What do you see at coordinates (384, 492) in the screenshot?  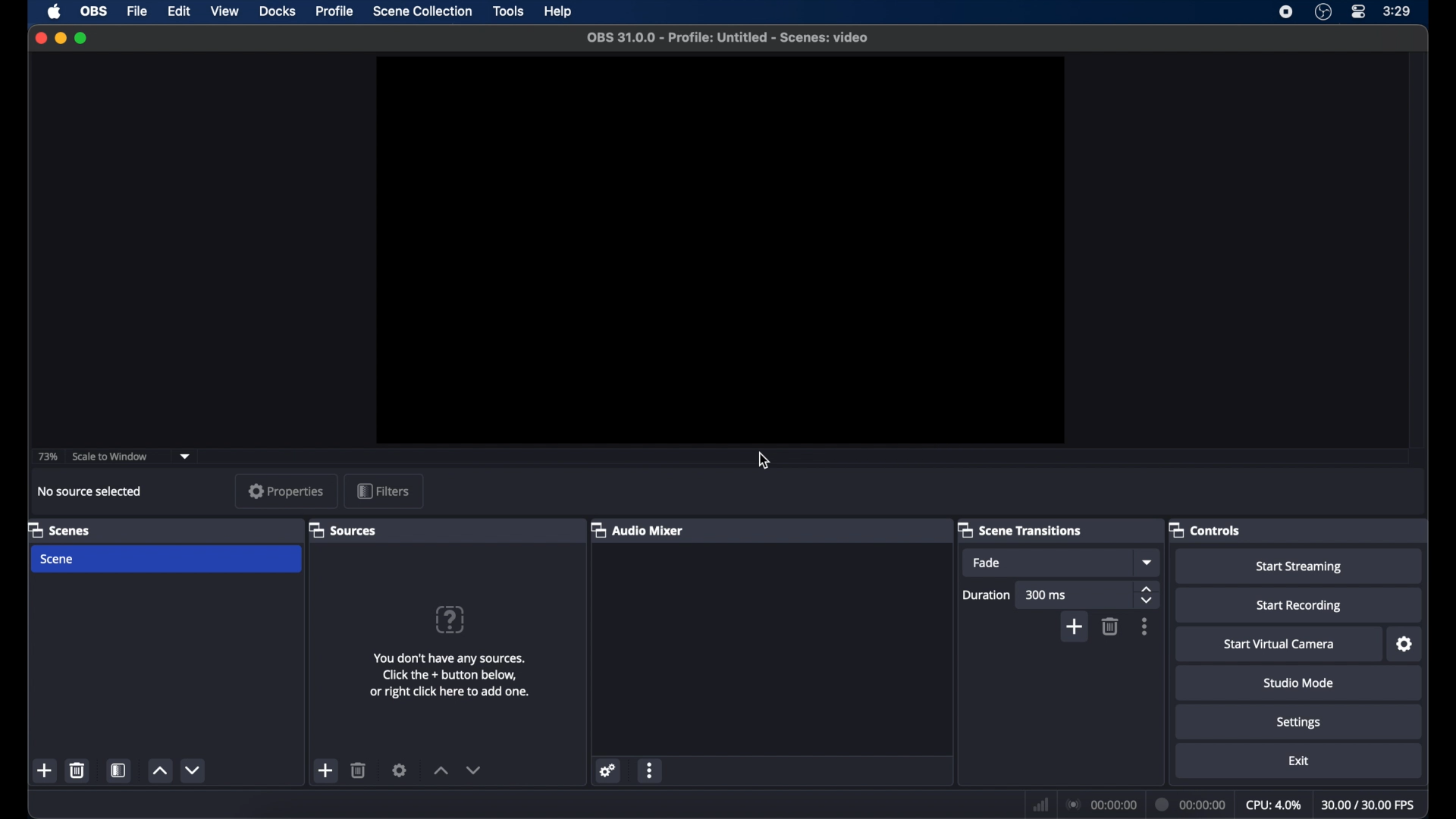 I see `filters` at bounding box center [384, 492].